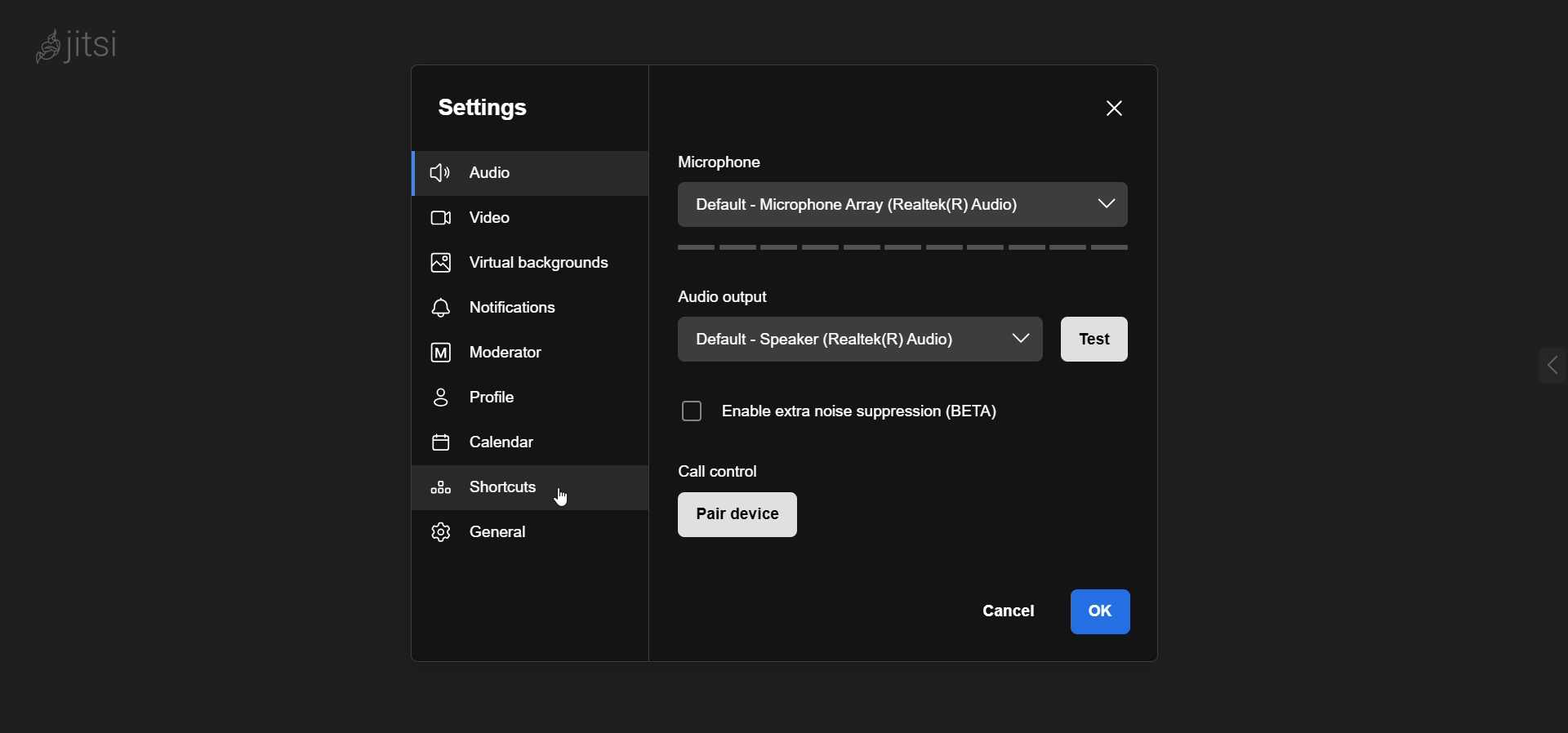 The width and height of the screenshot is (1568, 733). I want to click on close pane, so click(1116, 104).